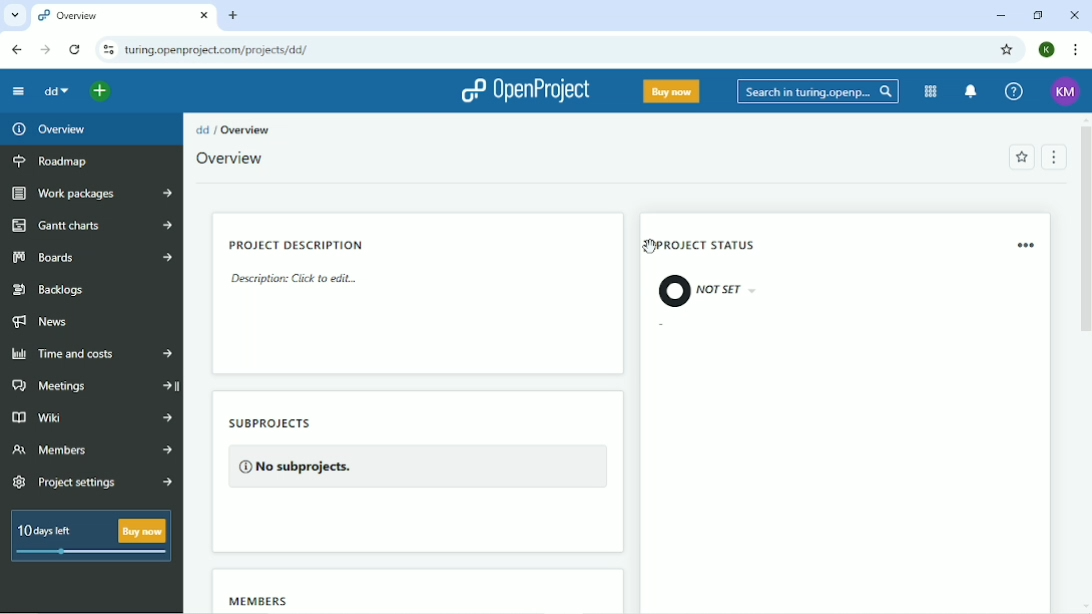  What do you see at coordinates (90, 419) in the screenshot?
I see `Wiki` at bounding box center [90, 419].